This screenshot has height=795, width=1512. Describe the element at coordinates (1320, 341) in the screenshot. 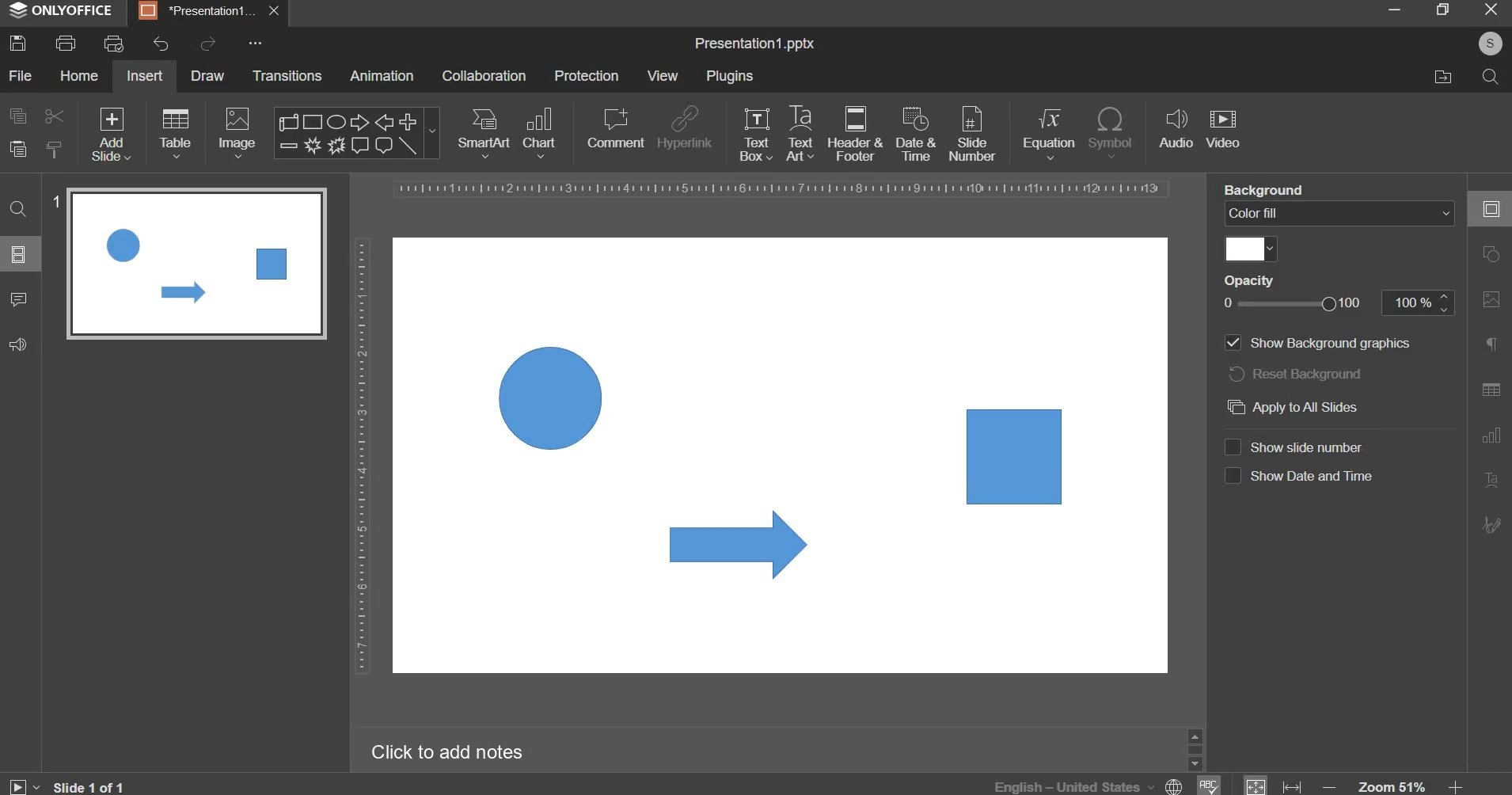

I see `show background graphics` at that location.